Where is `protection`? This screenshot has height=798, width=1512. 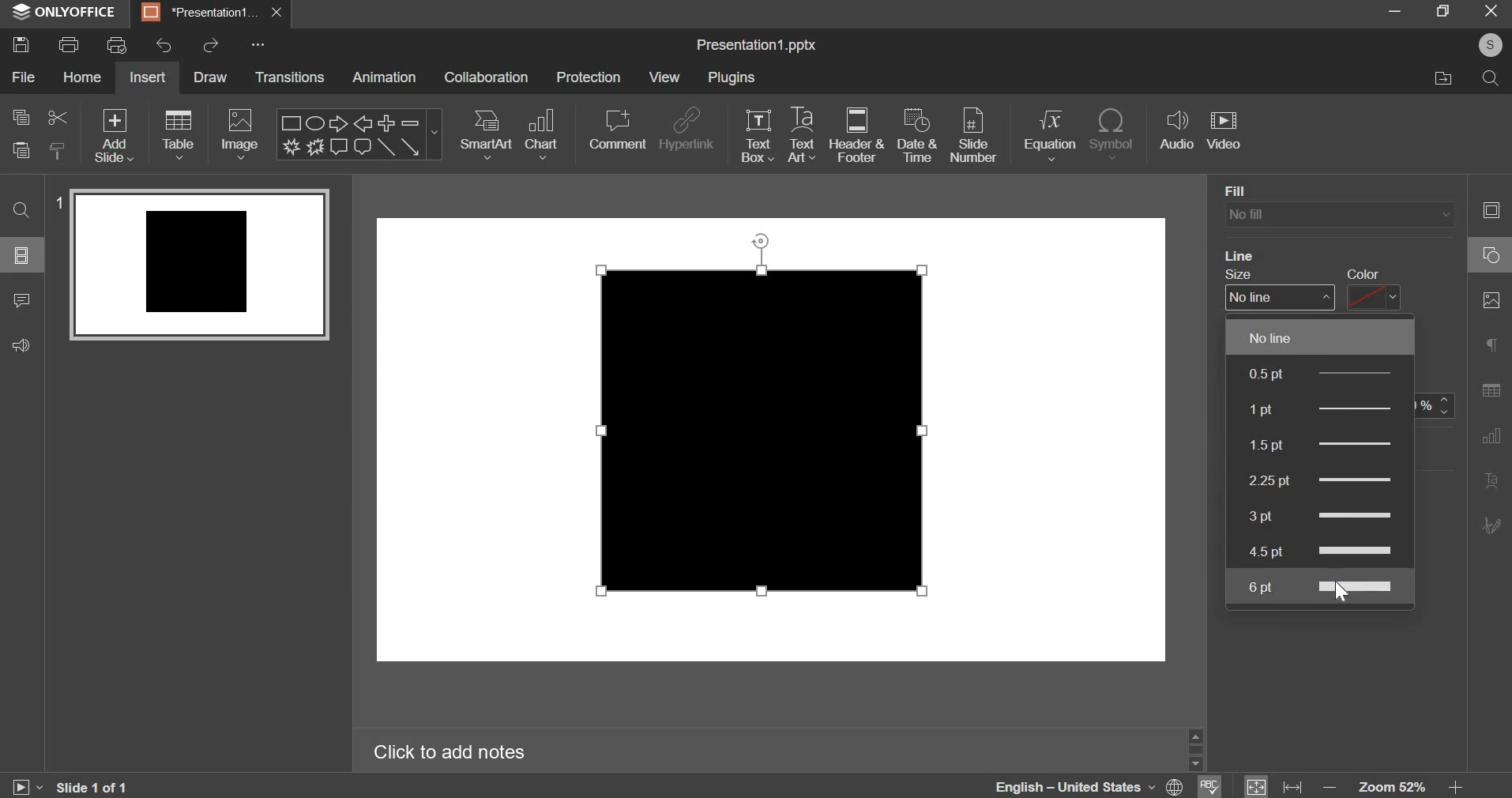 protection is located at coordinates (589, 77).